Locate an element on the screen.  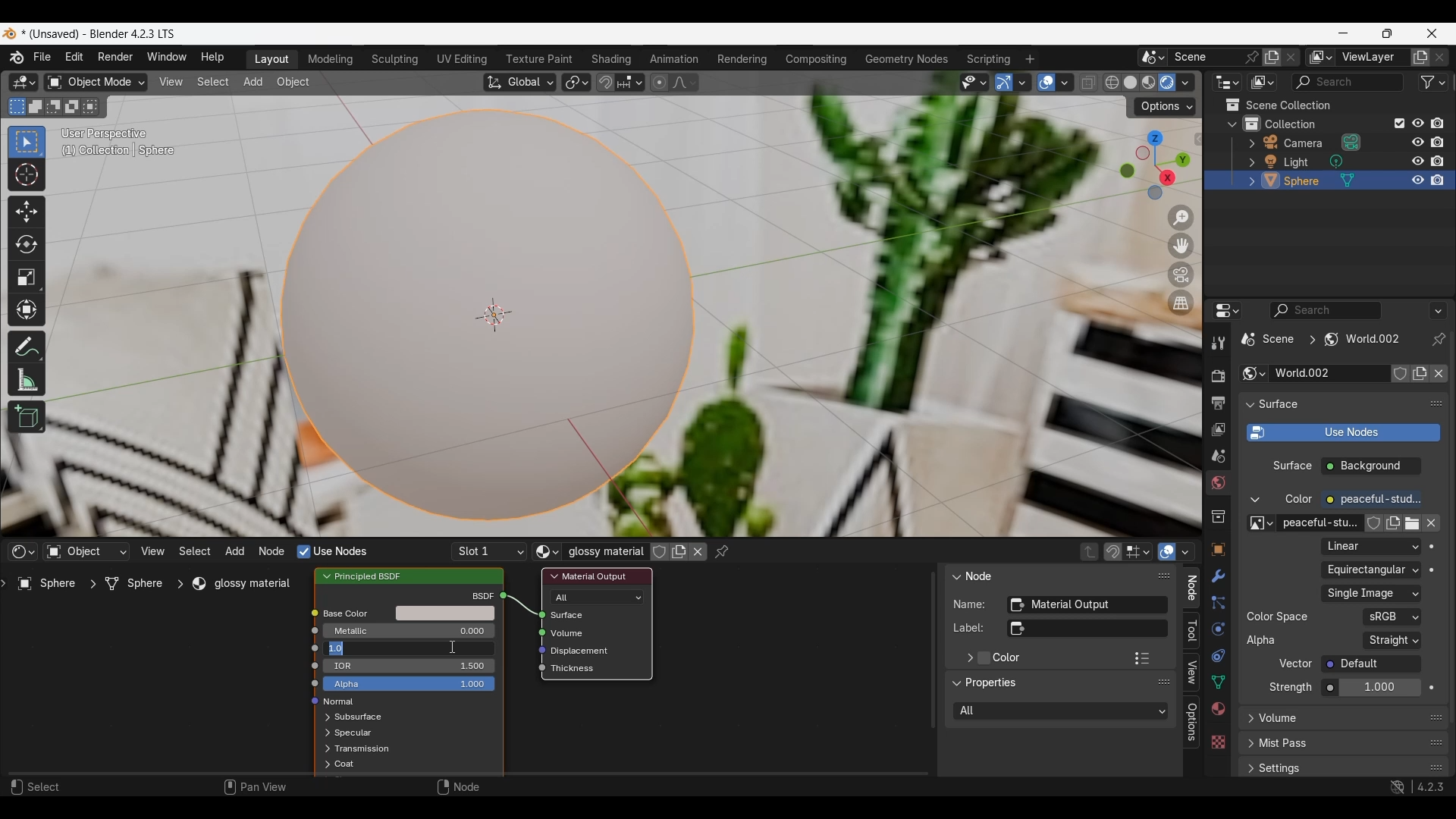
Physics properties is located at coordinates (1218, 628).